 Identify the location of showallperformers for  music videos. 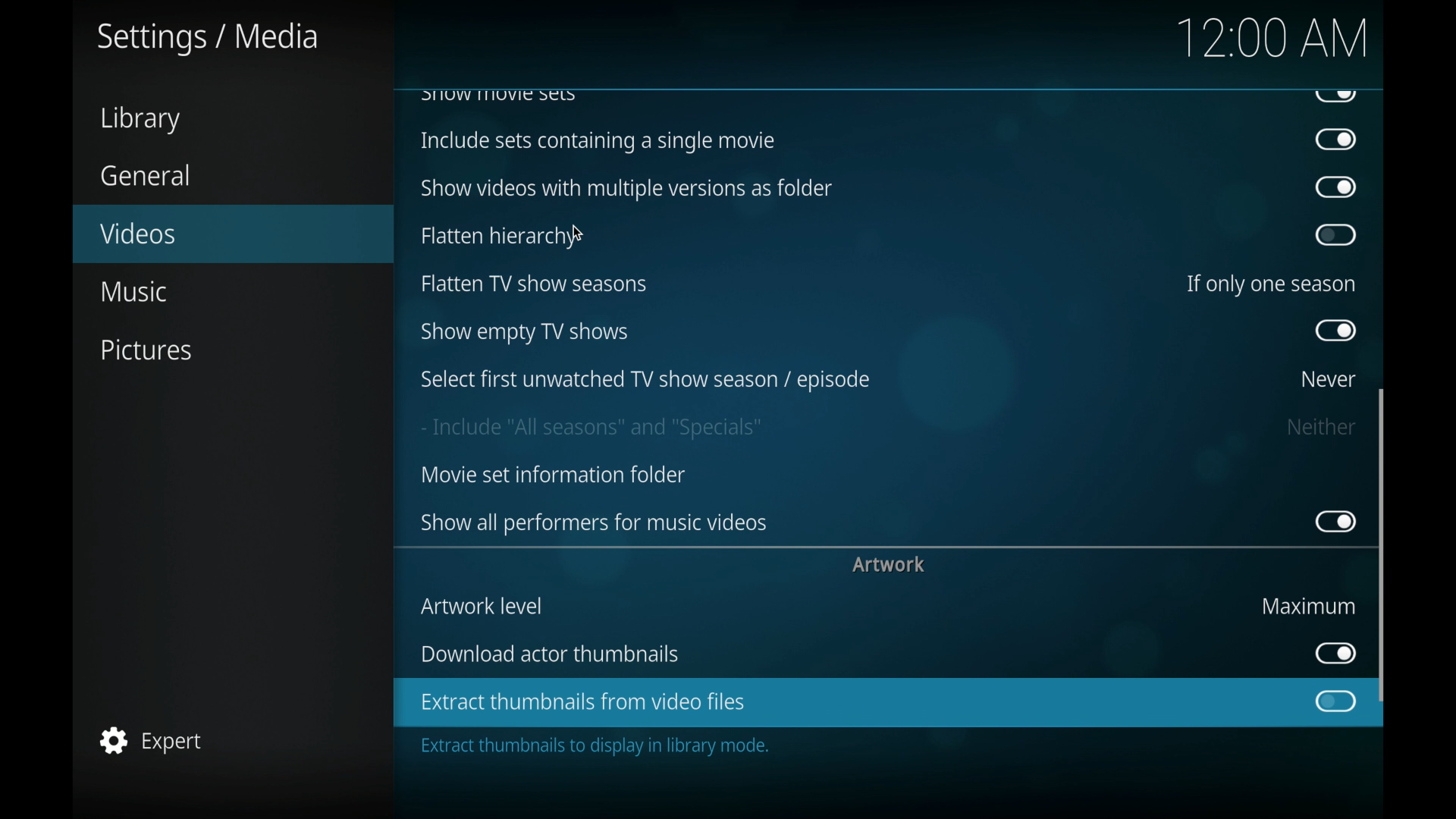
(595, 523).